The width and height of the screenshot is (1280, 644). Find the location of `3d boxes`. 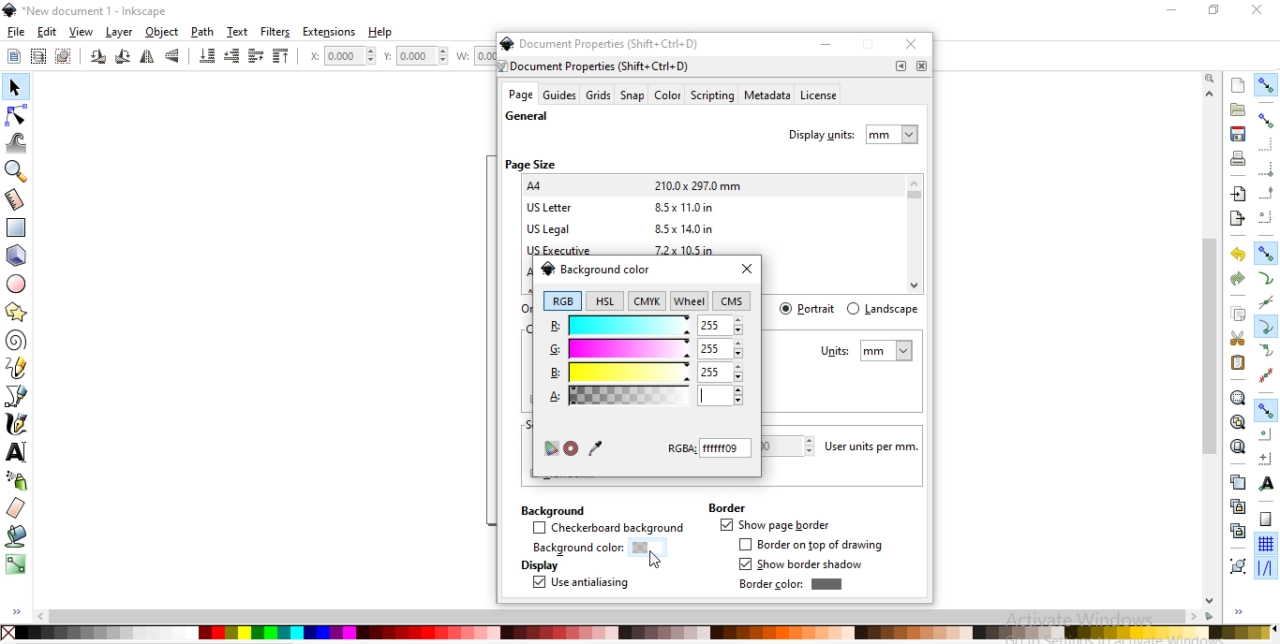

3d boxes is located at coordinates (16, 256).